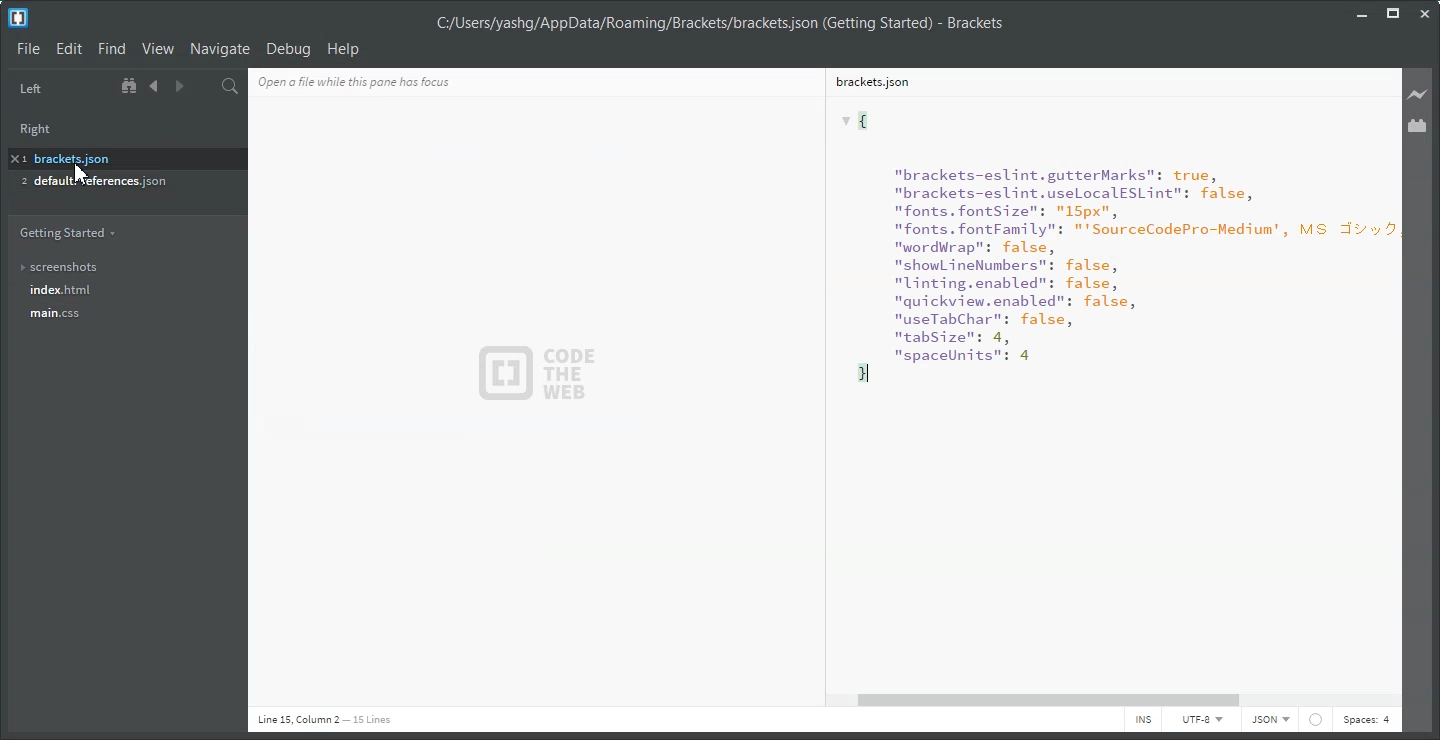 This screenshot has height=740, width=1440. Describe the element at coordinates (1119, 700) in the screenshot. I see `Horizontal Scroll Bar` at that location.